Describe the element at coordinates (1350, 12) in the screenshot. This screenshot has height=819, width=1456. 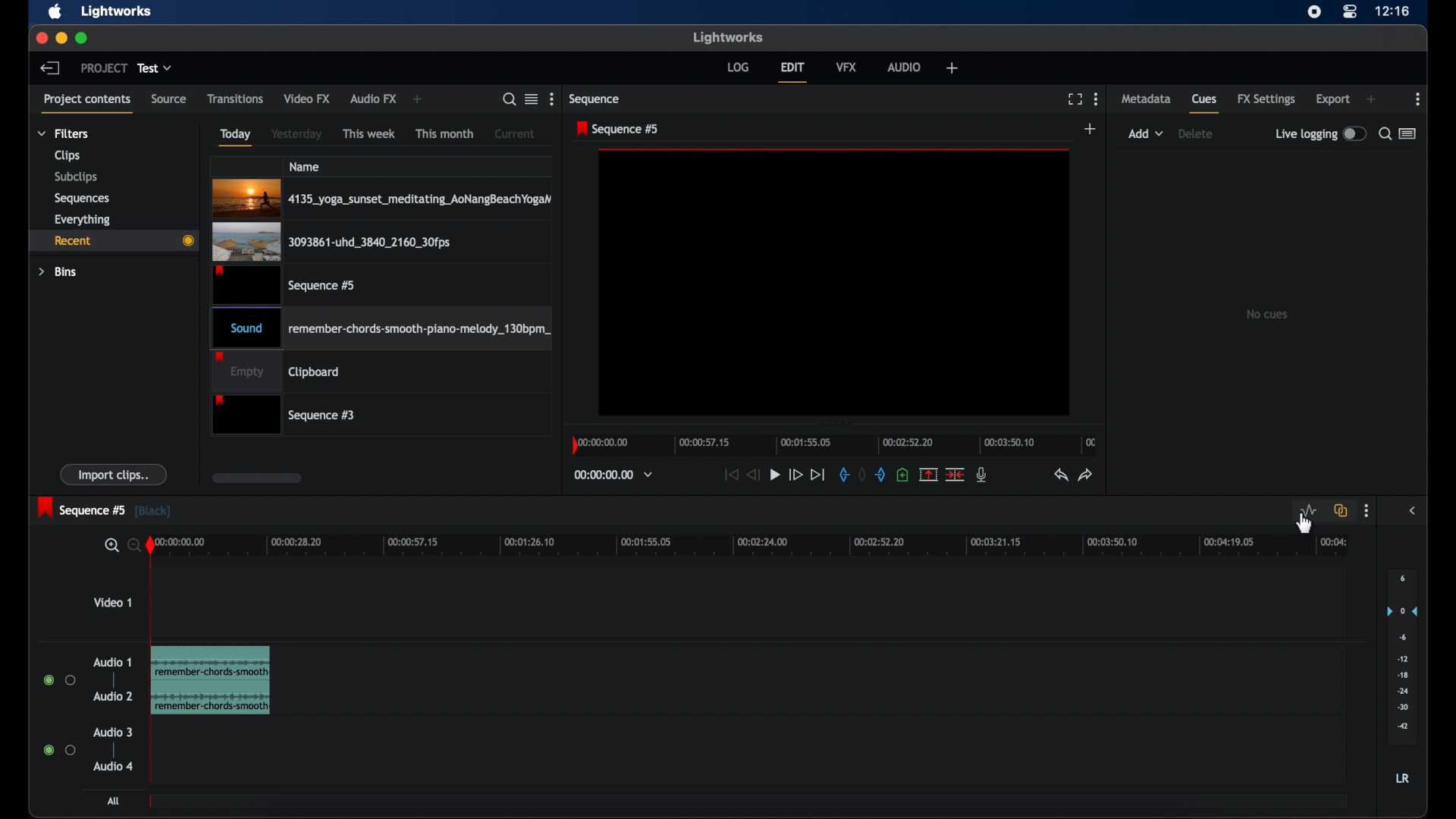
I see `control center` at that location.